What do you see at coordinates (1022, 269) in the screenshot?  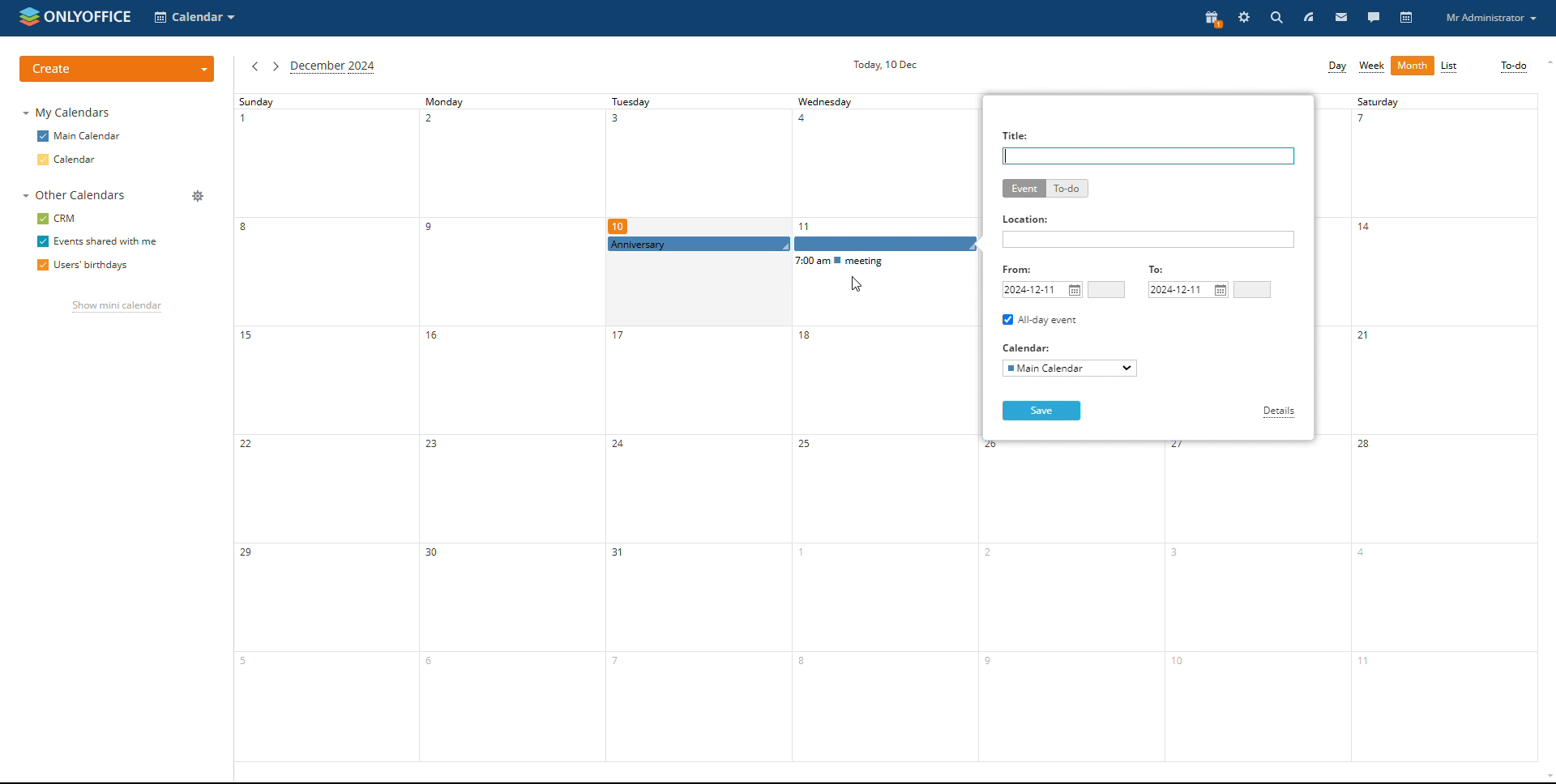 I see `From:` at bounding box center [1022, 269].